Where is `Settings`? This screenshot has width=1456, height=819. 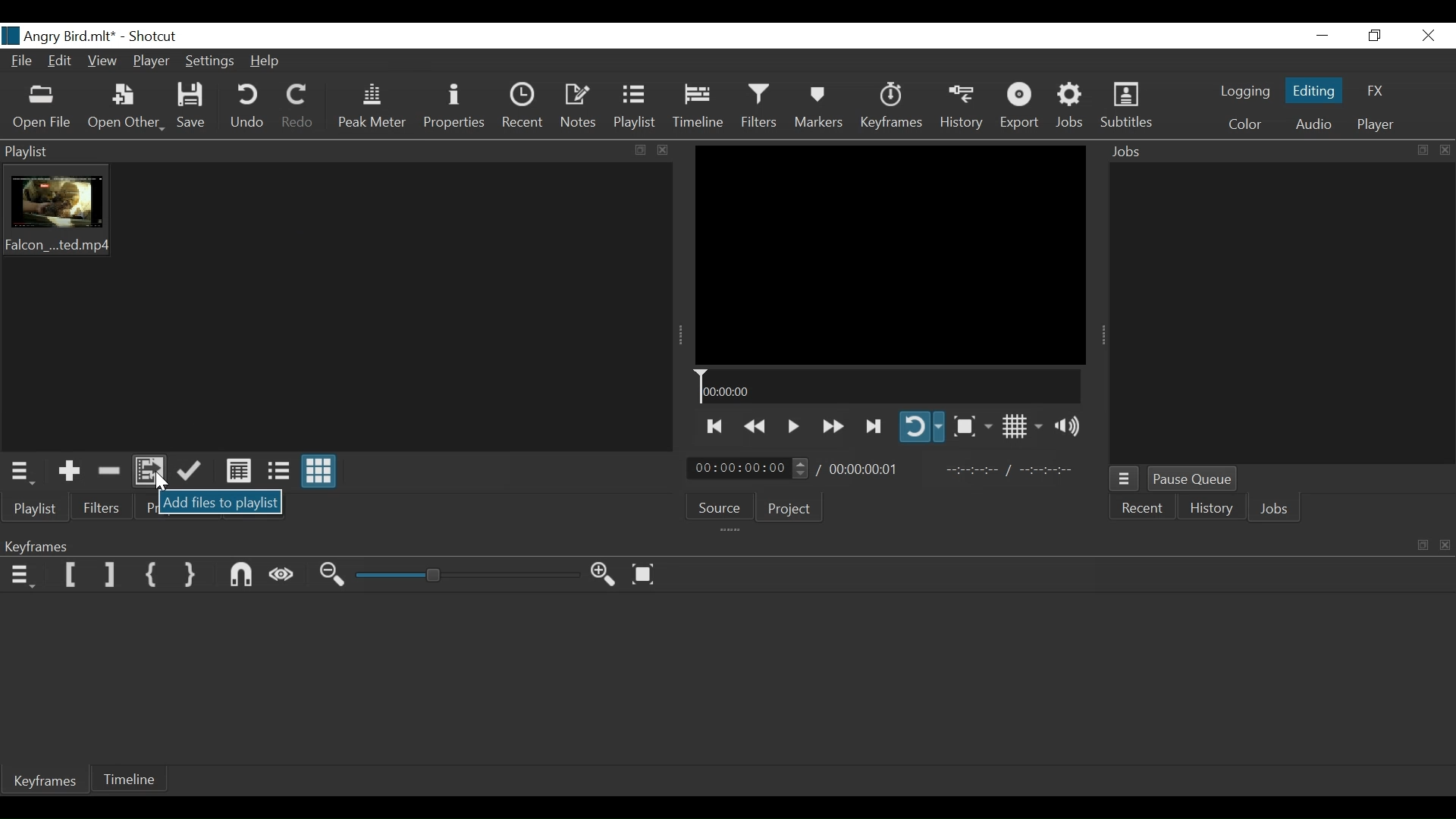
Settings is located at coordinates (210, 62).